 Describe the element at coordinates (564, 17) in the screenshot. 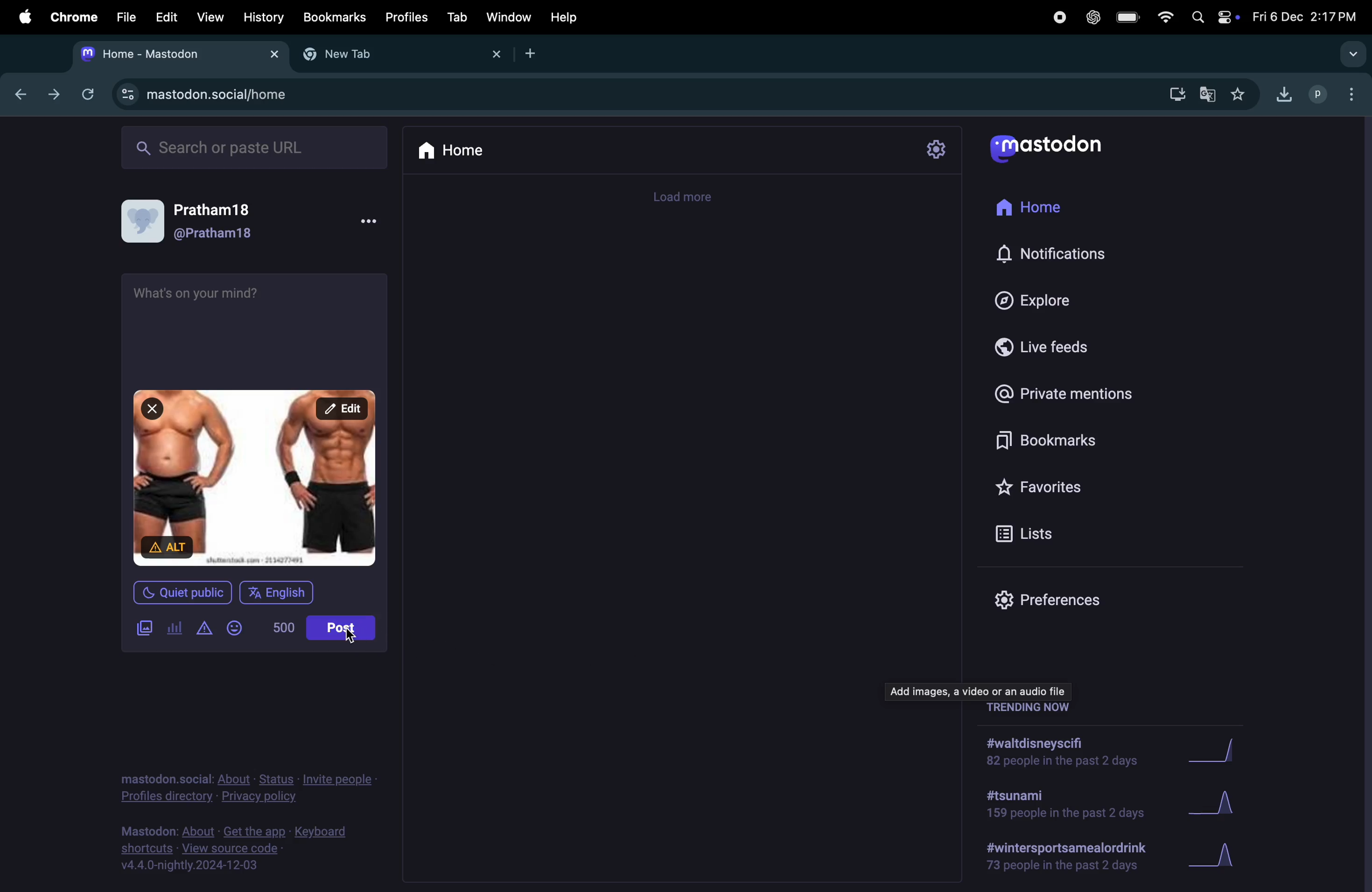

I see `help` at that location.